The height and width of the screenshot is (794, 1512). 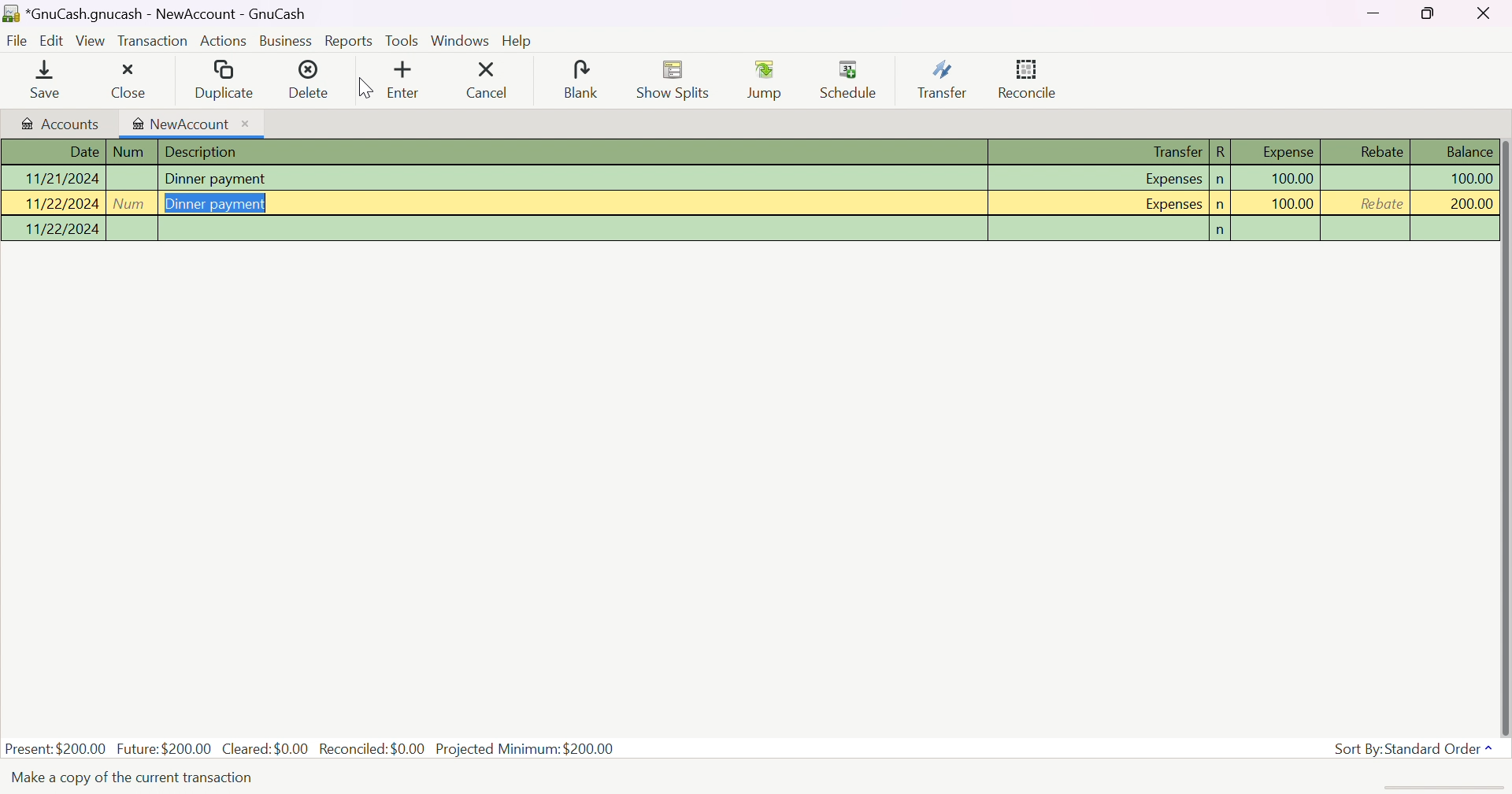 I want to click on Date, so click(x=83, y=152).